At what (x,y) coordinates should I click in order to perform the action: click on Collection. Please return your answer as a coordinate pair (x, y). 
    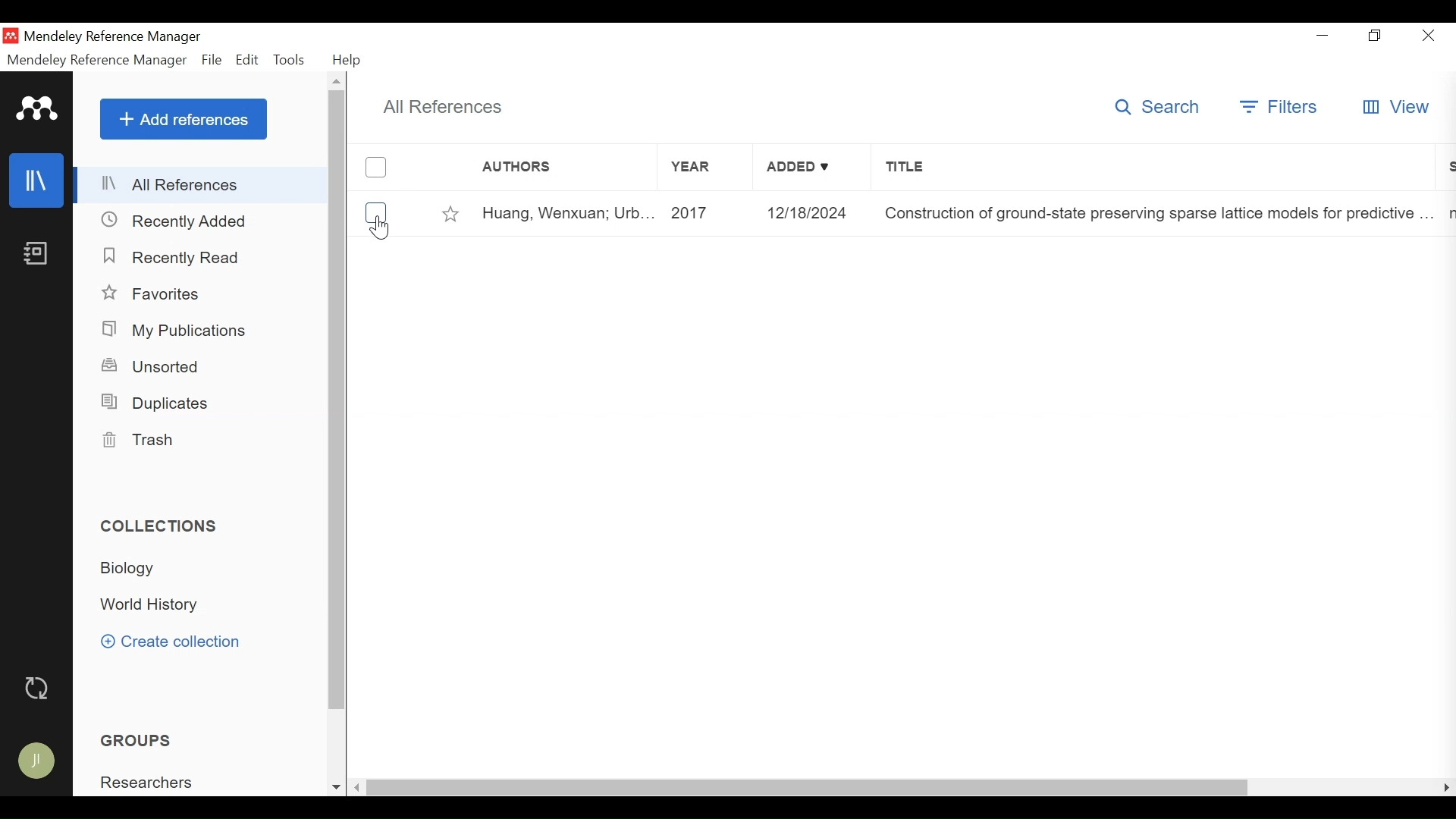
    Looking at the image, I should click on (131, 570).